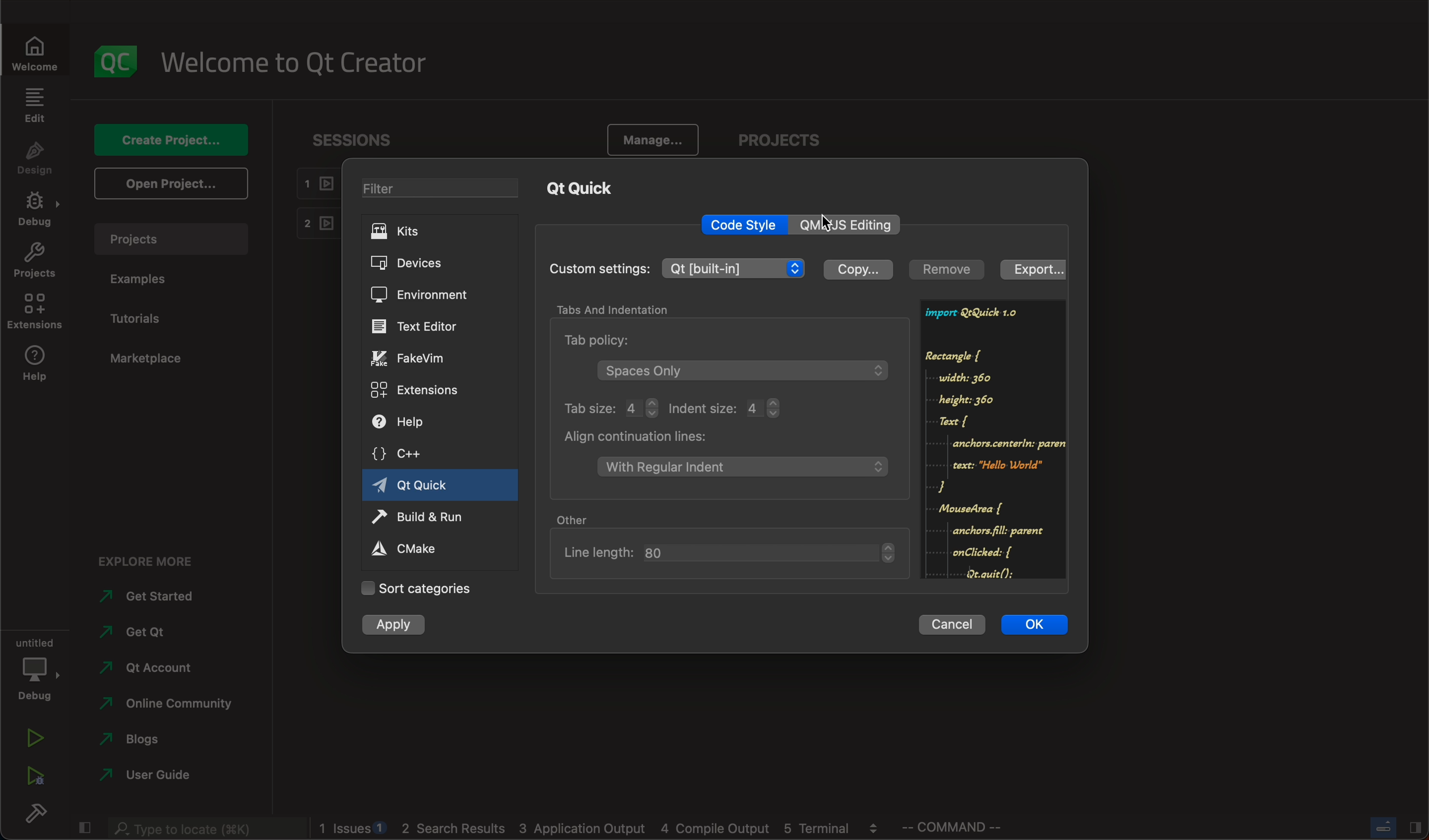  What do you see at coordinates (146, 280) in the screenshot?
I see `examples` at bounding box center [146, 280].